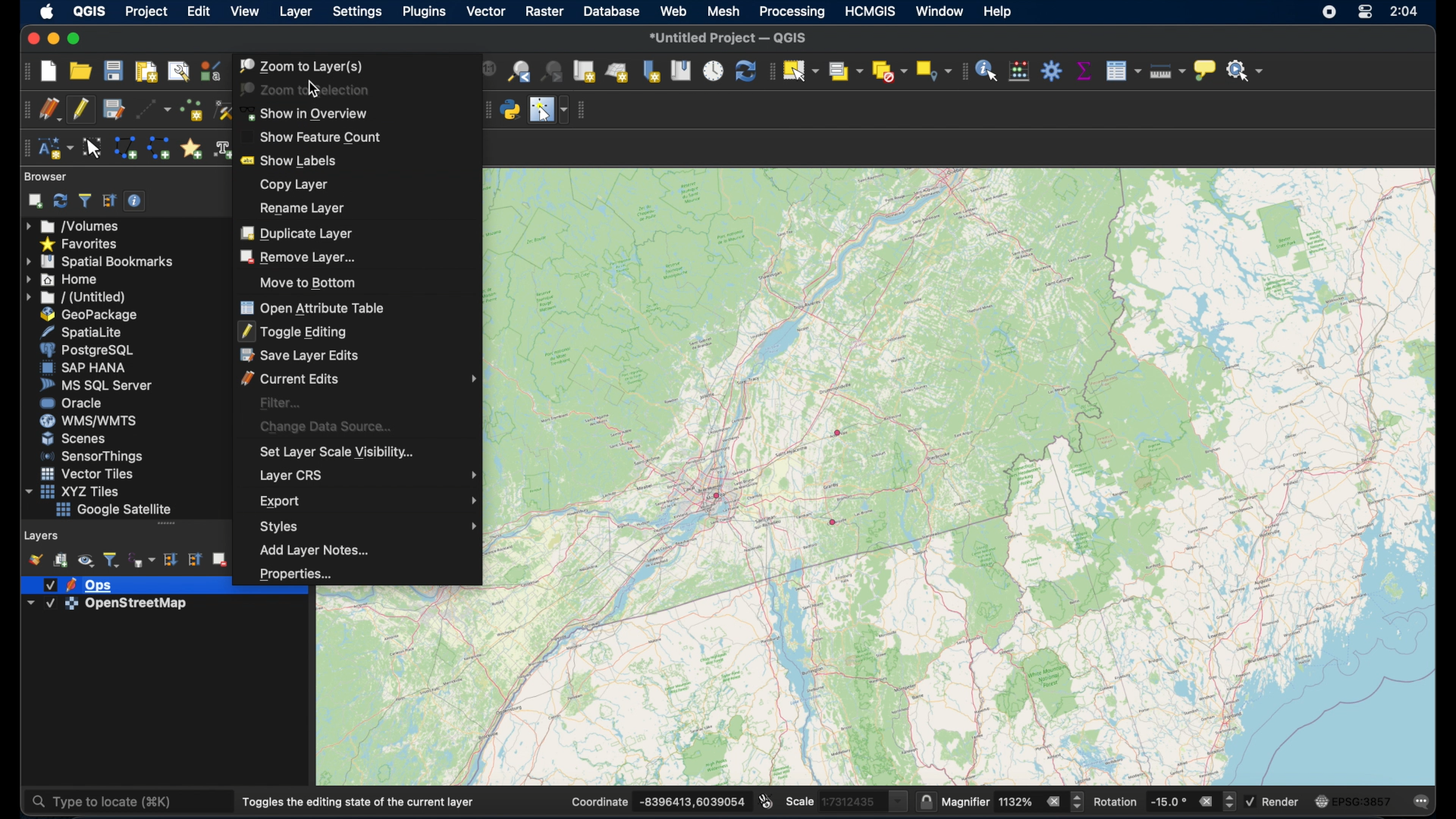 This screenshot has width=1456, height=819. What do you see at coordinates (25, 148) in the screenshot?
I see `annotations toolbar` at bounding box center [25, 148].